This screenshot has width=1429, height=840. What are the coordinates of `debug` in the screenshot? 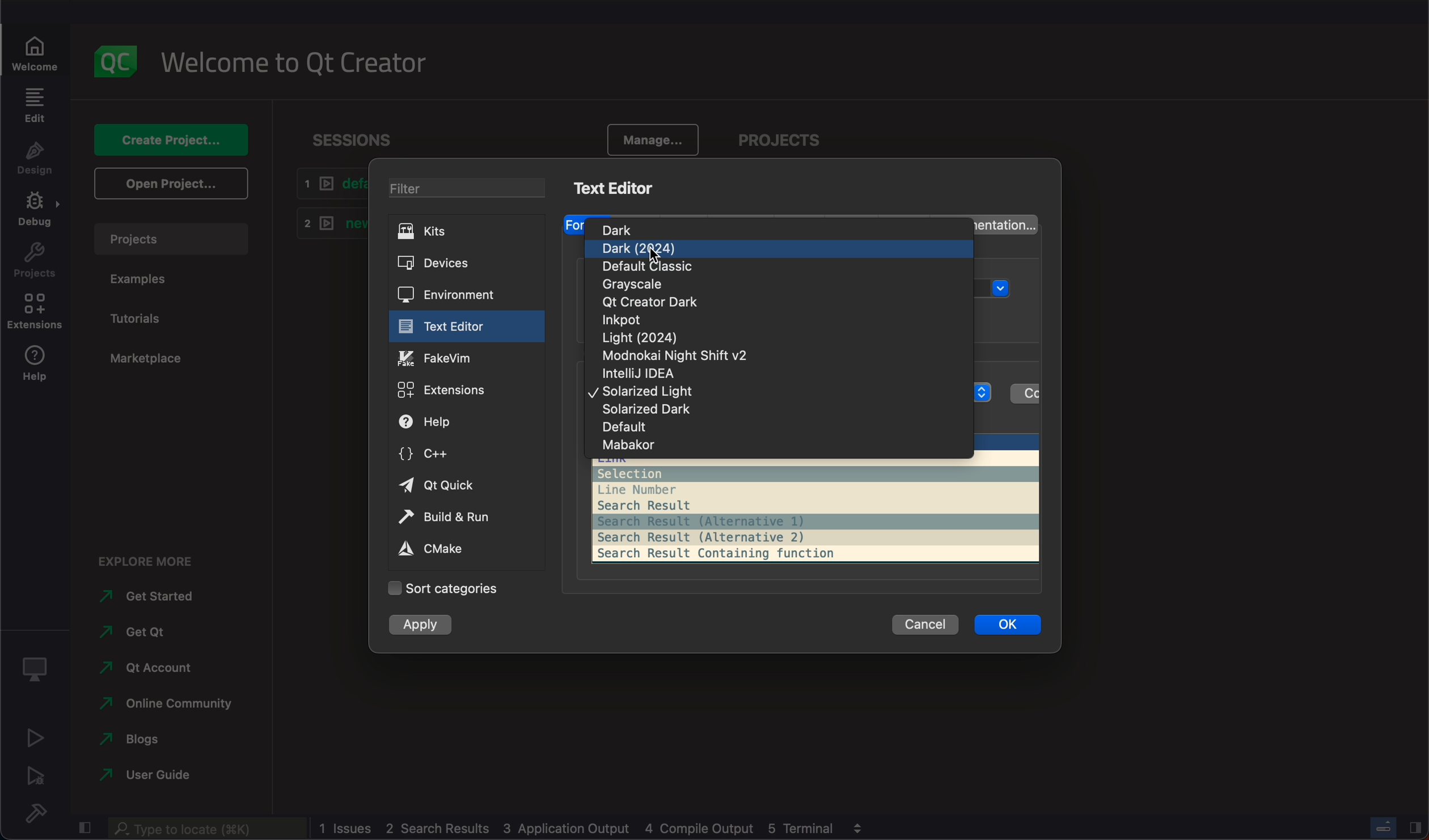 It's located at (34, 213).